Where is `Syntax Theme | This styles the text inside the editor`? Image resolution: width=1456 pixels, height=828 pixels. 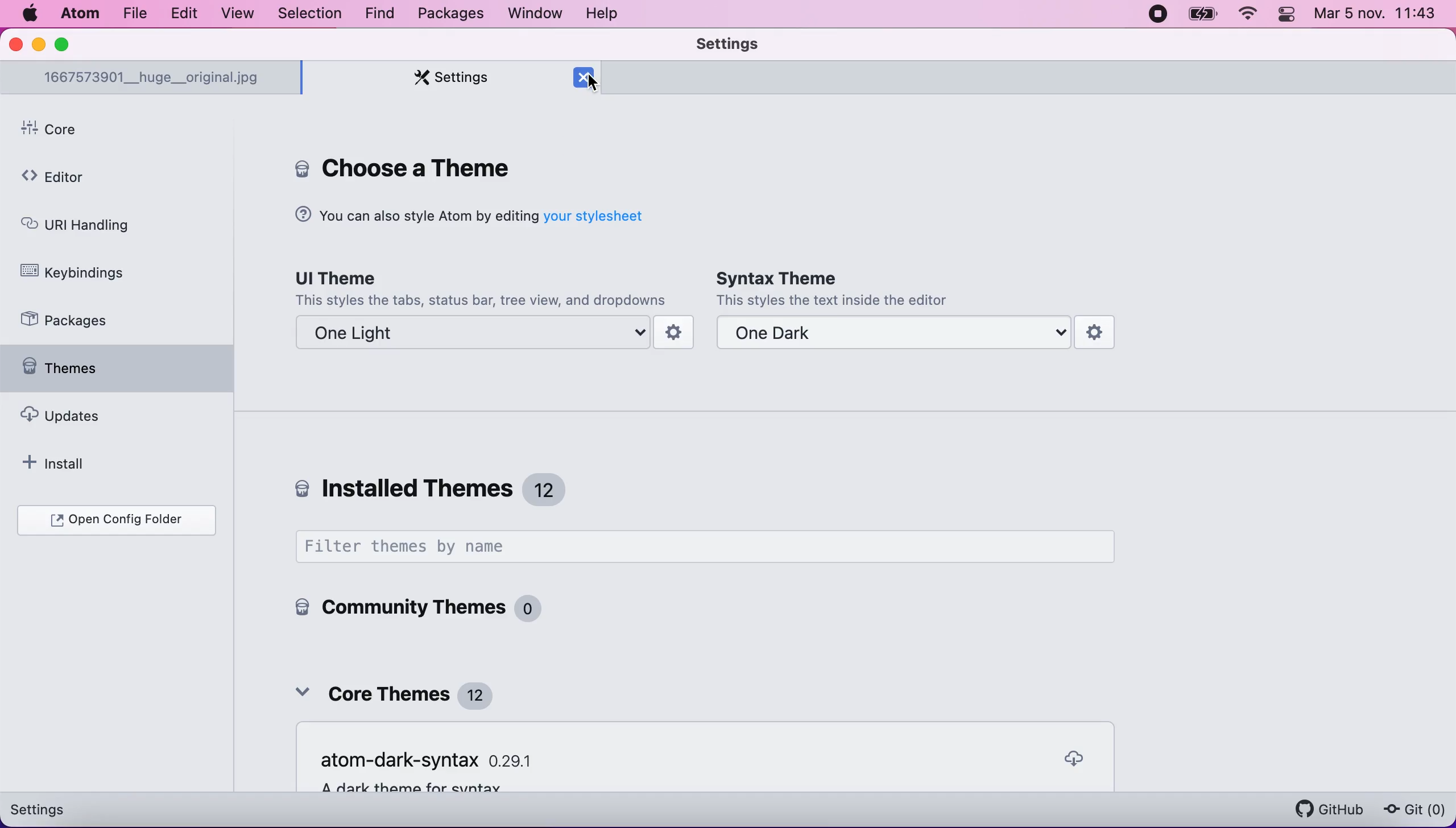 Syntax Theme | This styles the text inside the editor is located at coordinates (830, 288).